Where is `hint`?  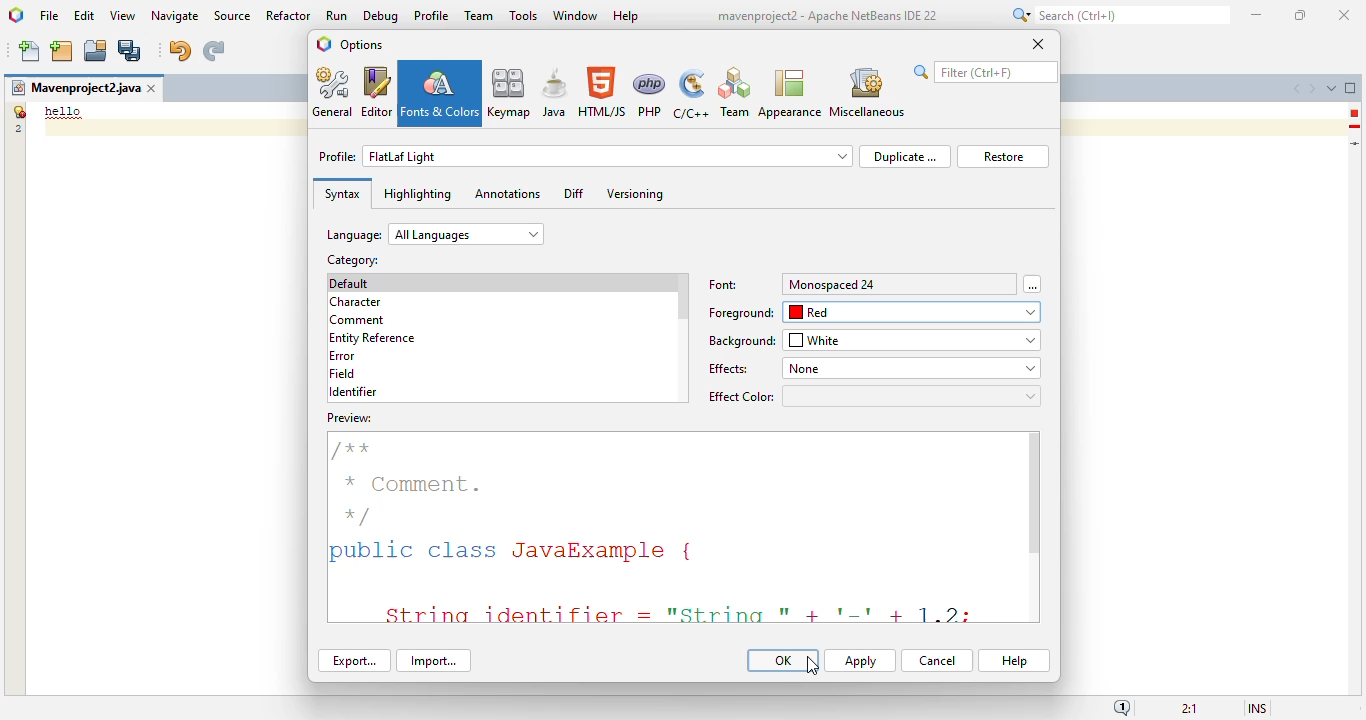
hint is located at coordinates (1355, 127).